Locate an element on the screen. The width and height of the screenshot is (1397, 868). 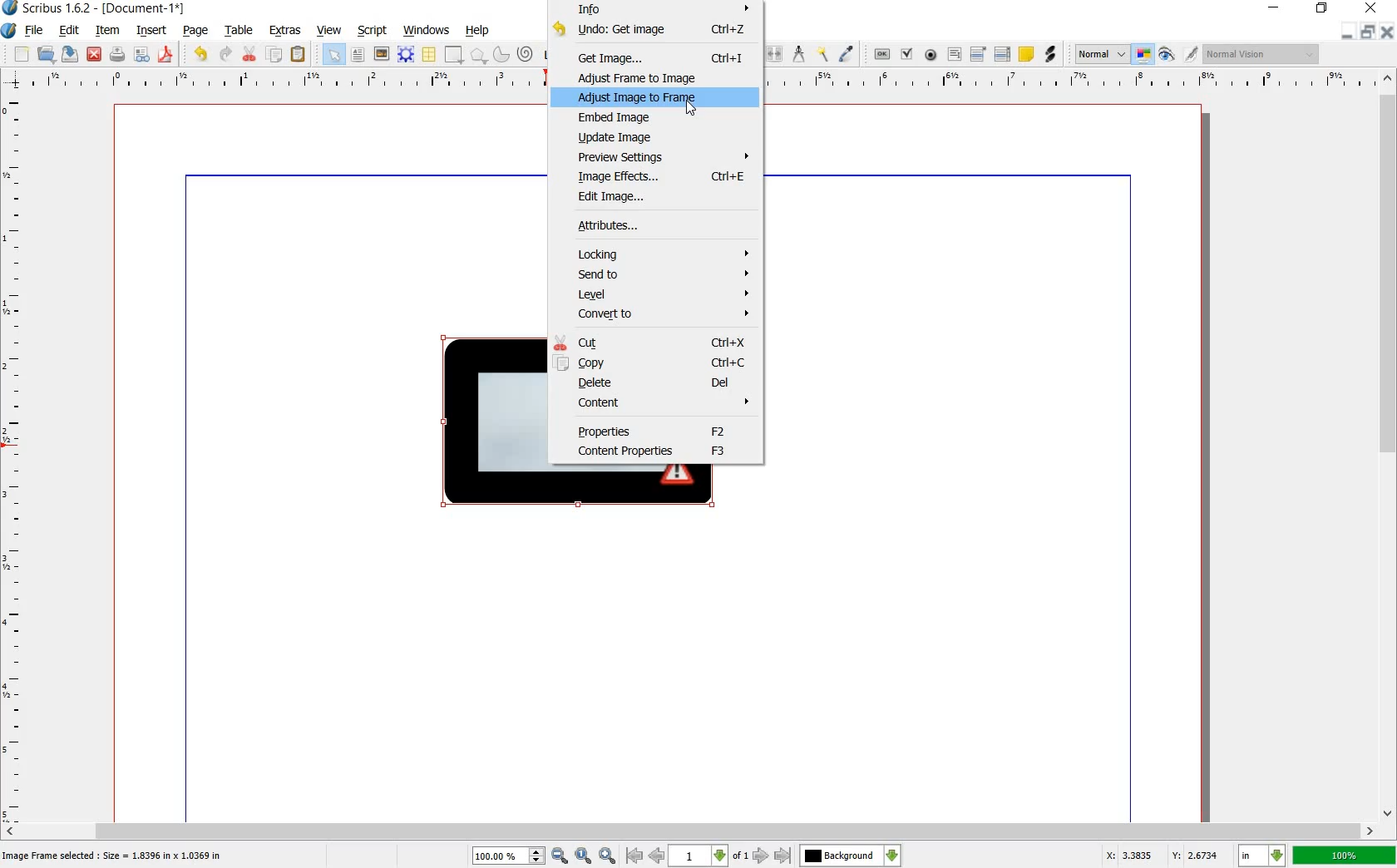
item is located at coordinates (105, 30).